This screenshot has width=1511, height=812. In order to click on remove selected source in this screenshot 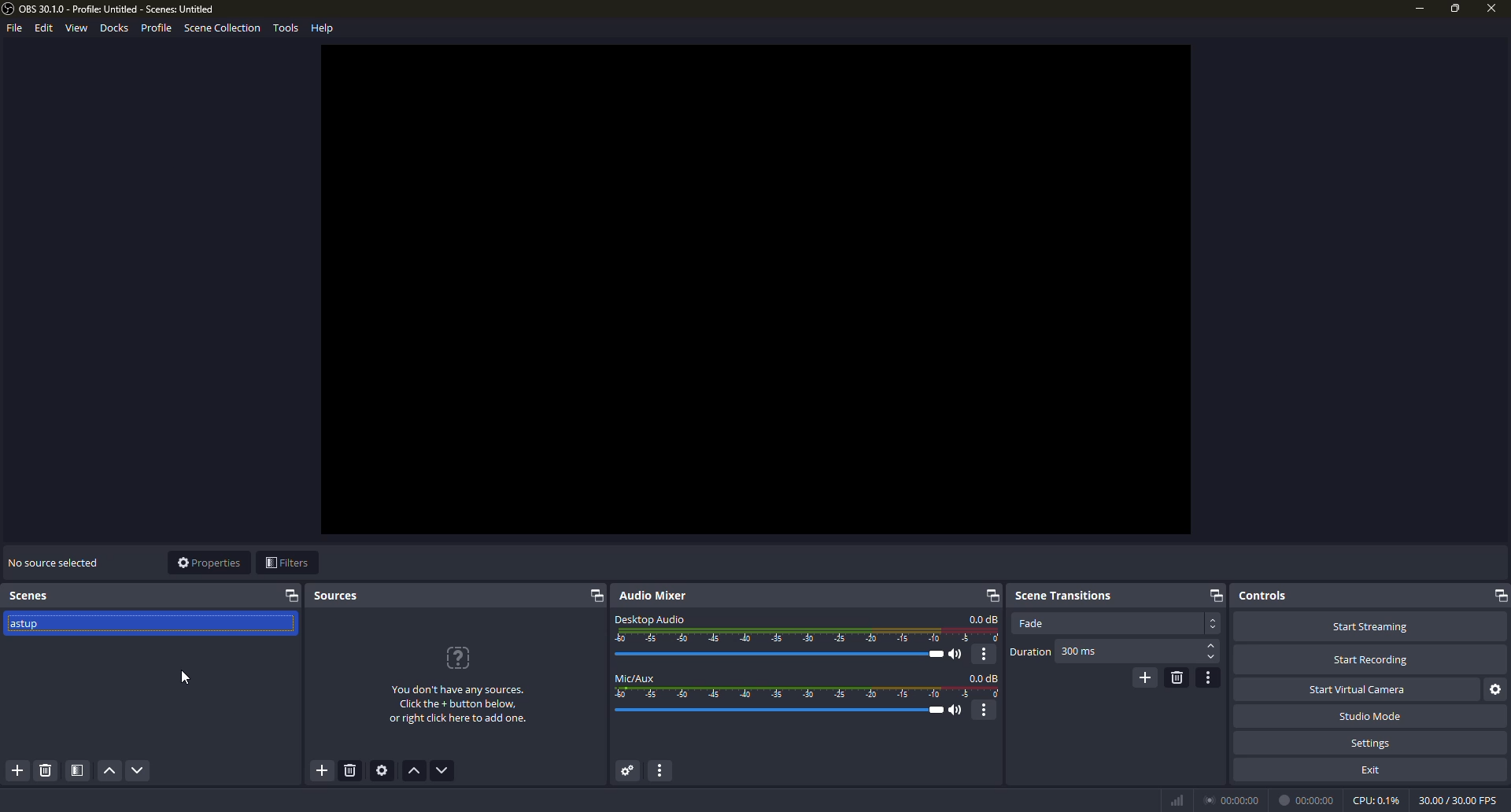, I will do `click(353, 773)`.